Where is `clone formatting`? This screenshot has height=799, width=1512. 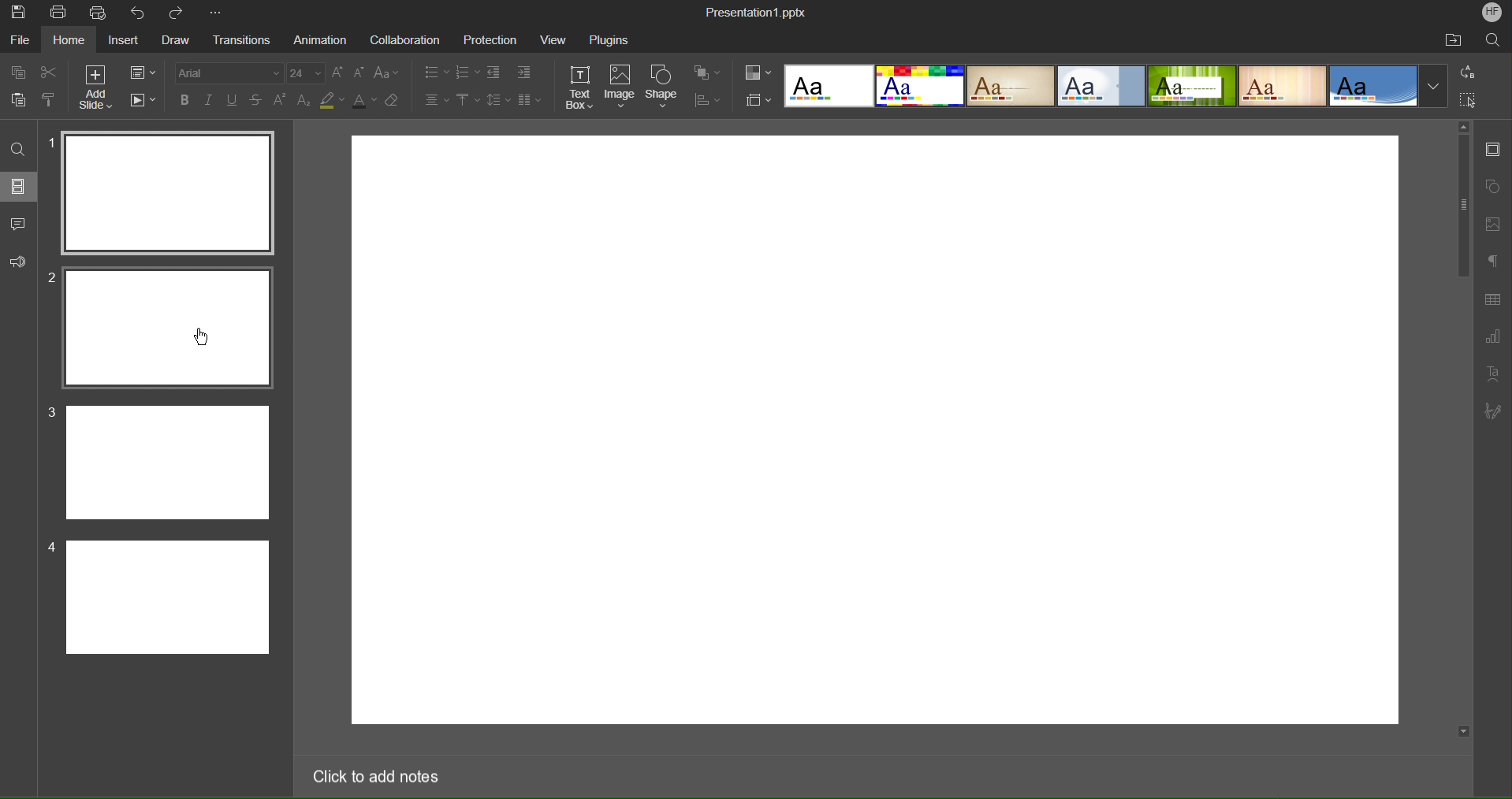
clone formatting is located at coordinates (51, 100).